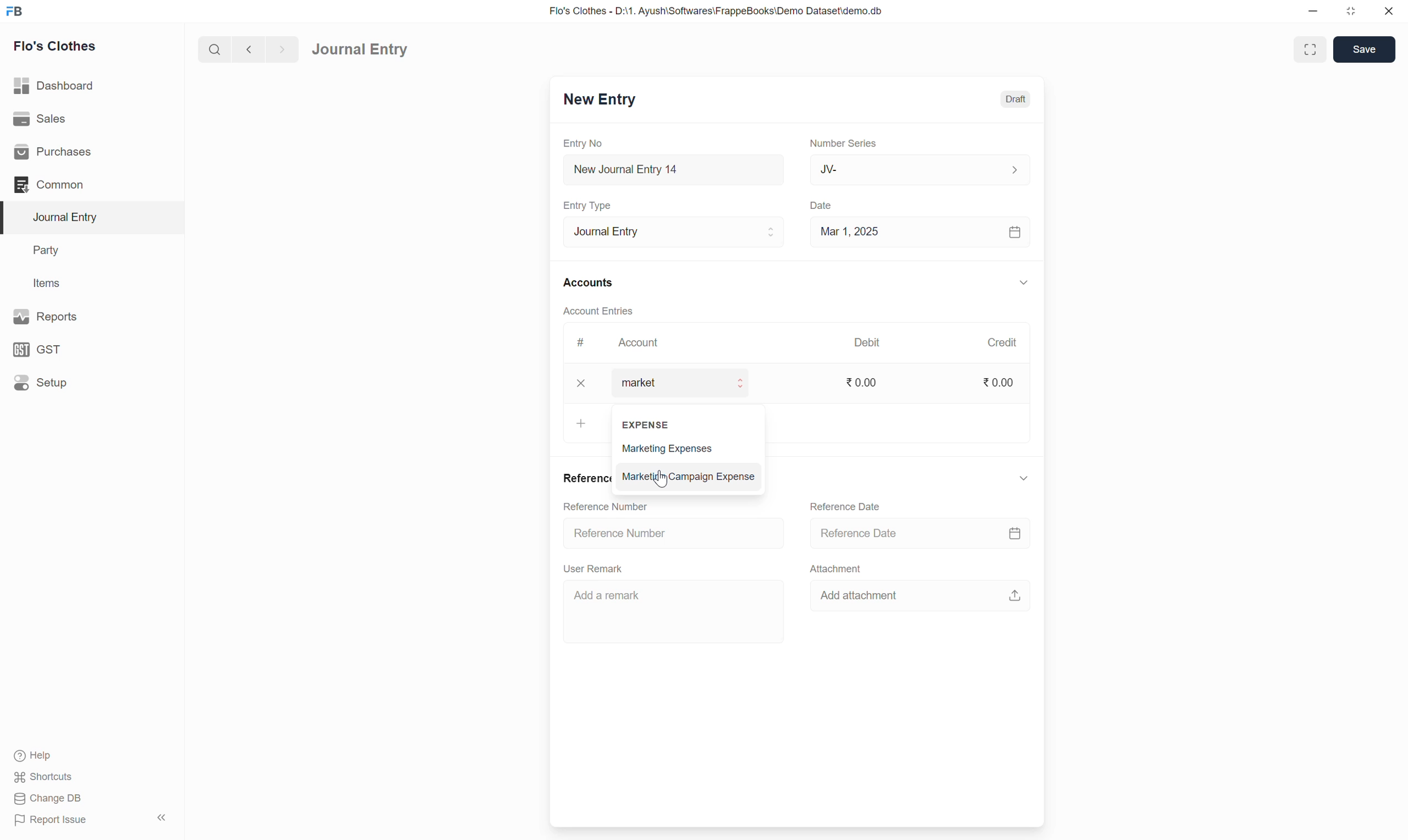 The image size is (1408, 840). Describe the element at coordinates (844, 142) in the screenshot. I see `Number Series` at that location.